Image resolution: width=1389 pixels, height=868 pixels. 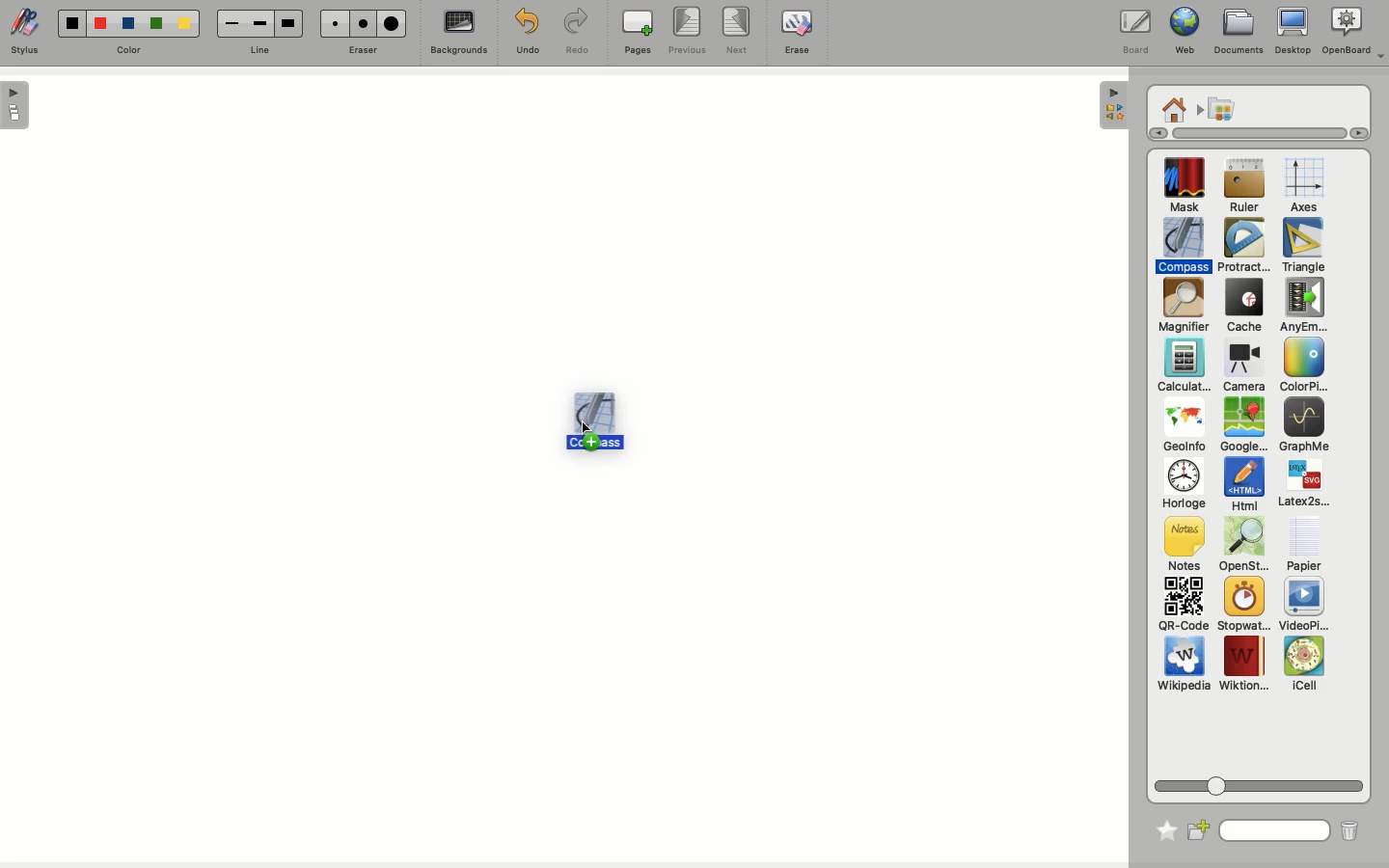 I want to click on Notes, so click(x=1181, y=545).